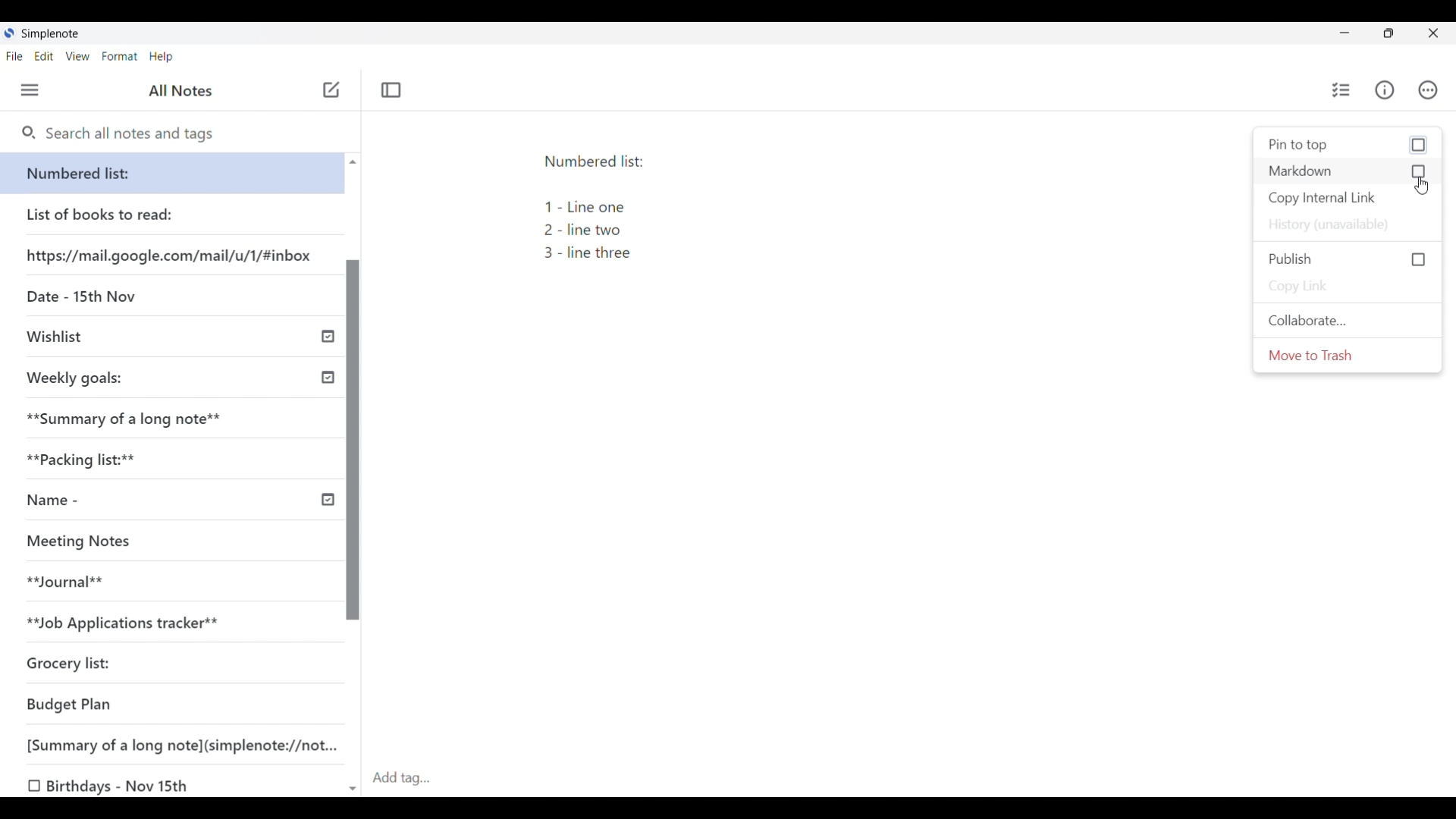 The width and height of the screenshot is (1456, 819). Describe the element at coordinates (121, 56) in the screenshot. I see `Format menu ` at that location.